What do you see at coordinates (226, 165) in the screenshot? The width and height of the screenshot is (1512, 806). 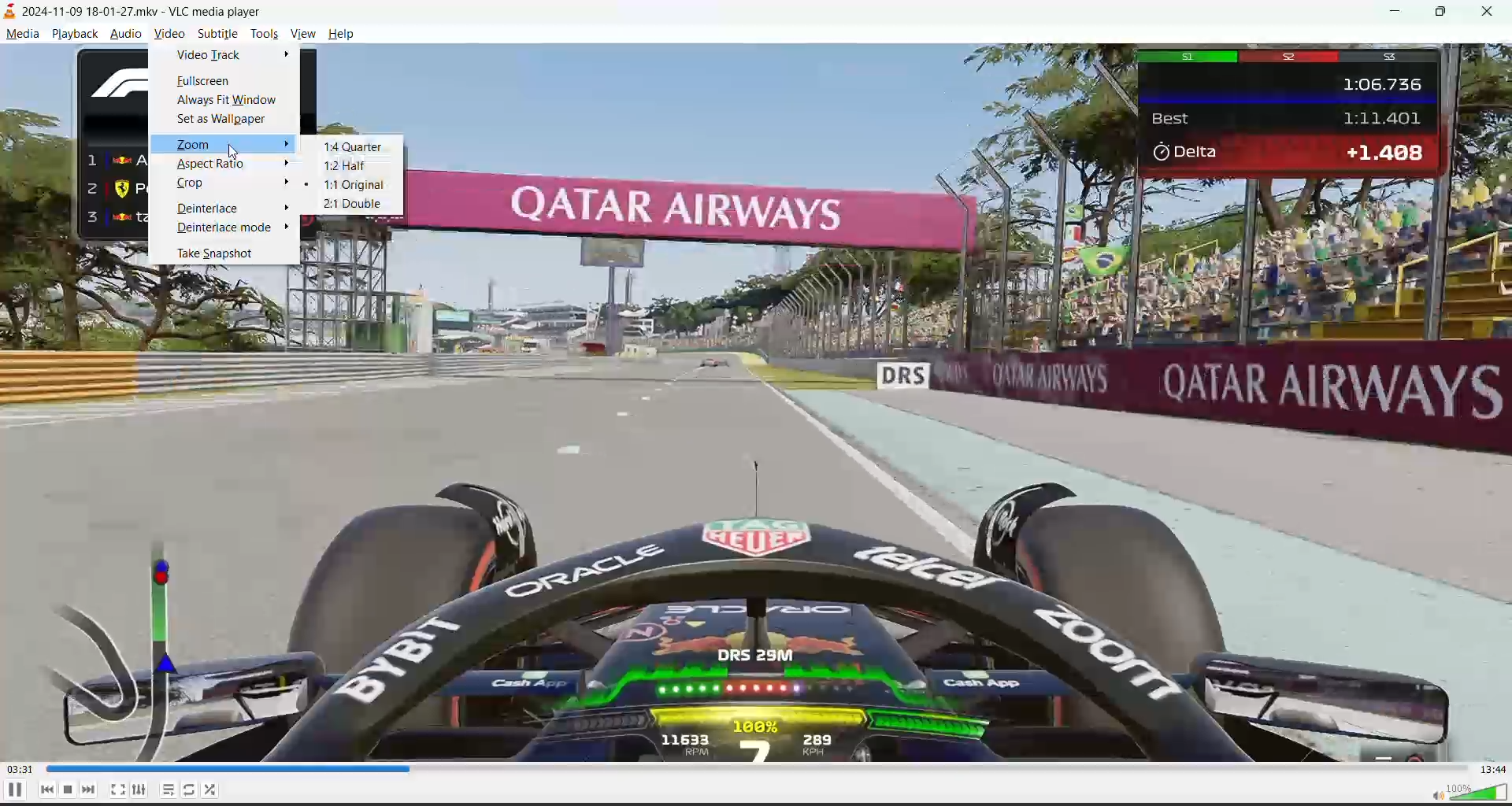 I see `aspect ratio` at bounding box center [226, 165].